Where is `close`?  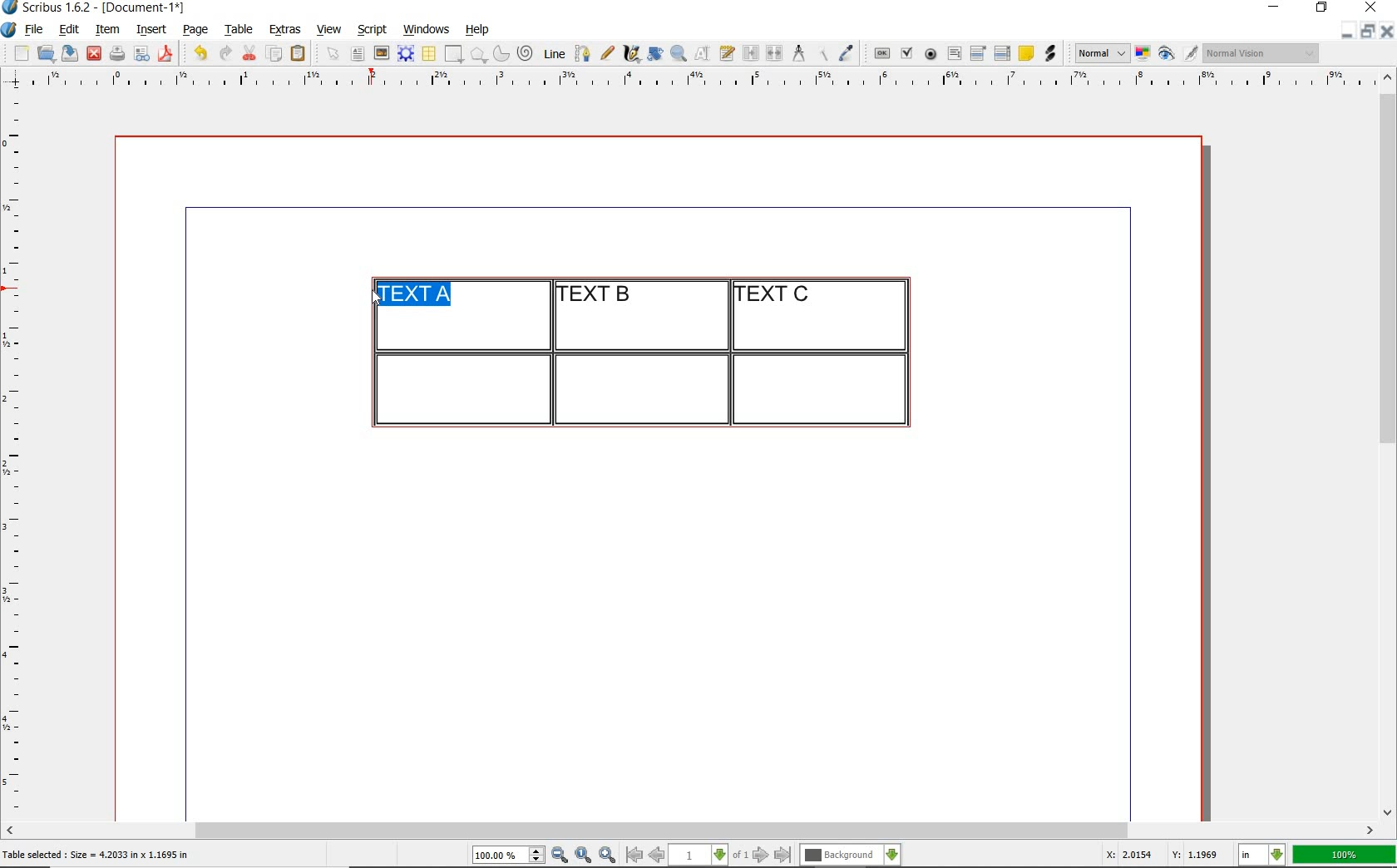
close is located at coordinates (1374, 7).